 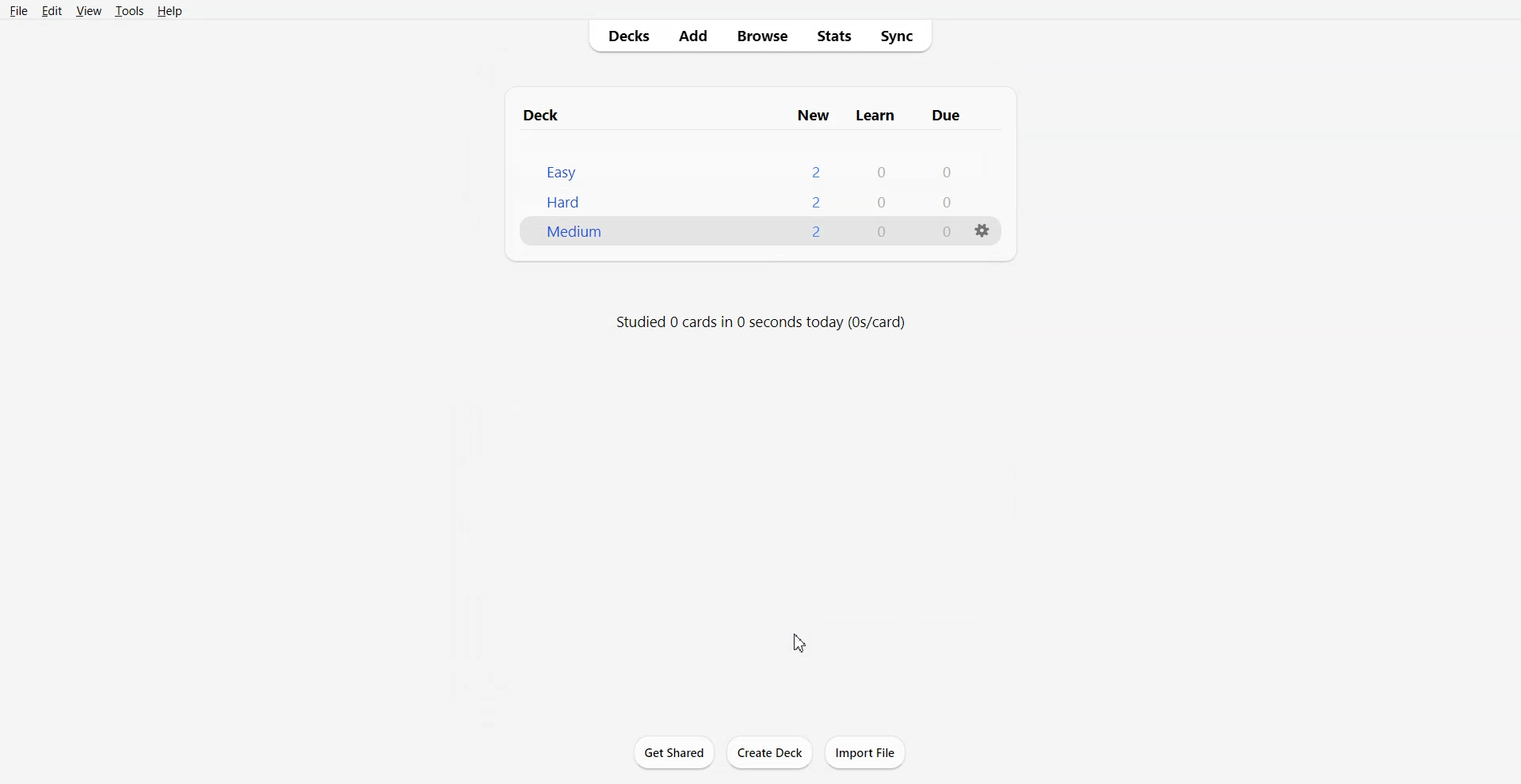 What do you see at coordinates (89, 10) in the screenshot?
I see `View` at bounding box center [89, 10].